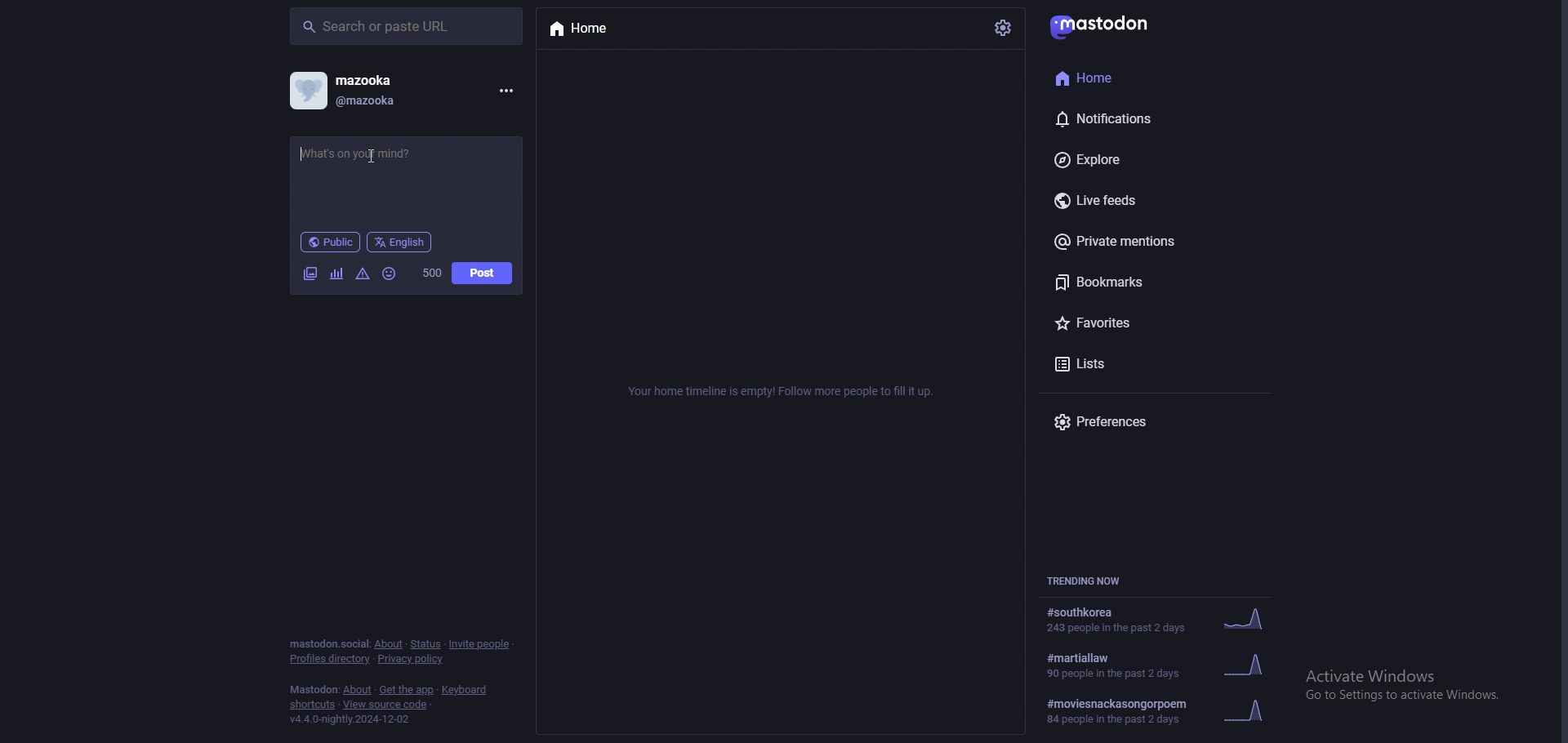 The width and height of the screenshot is (1568, 743). Describe the element at coordinates (1138, 322) in the screenshot. I see `favorites` at that location.